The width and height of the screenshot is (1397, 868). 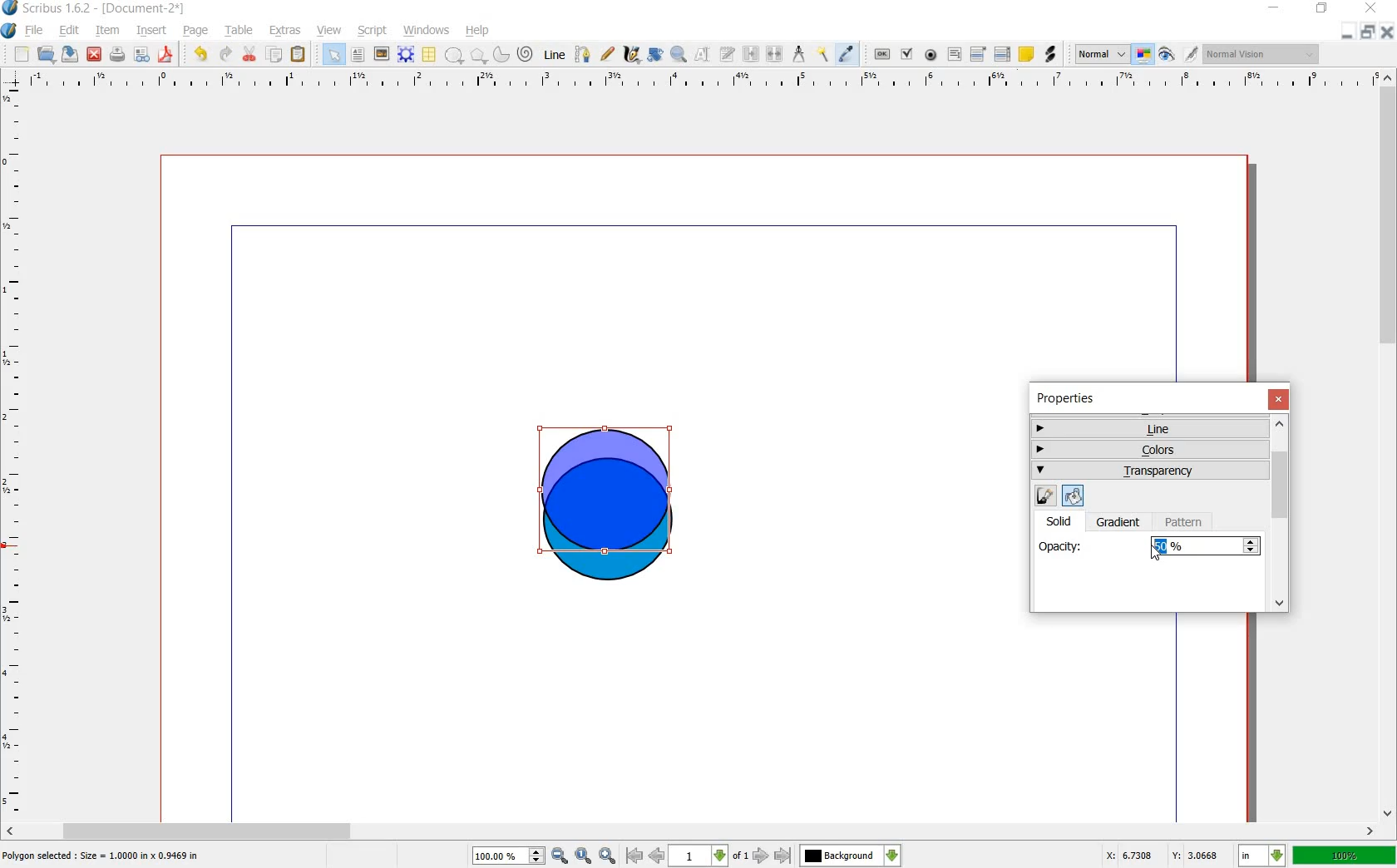 I want to click on zoom in, so click(x=607, y=856).